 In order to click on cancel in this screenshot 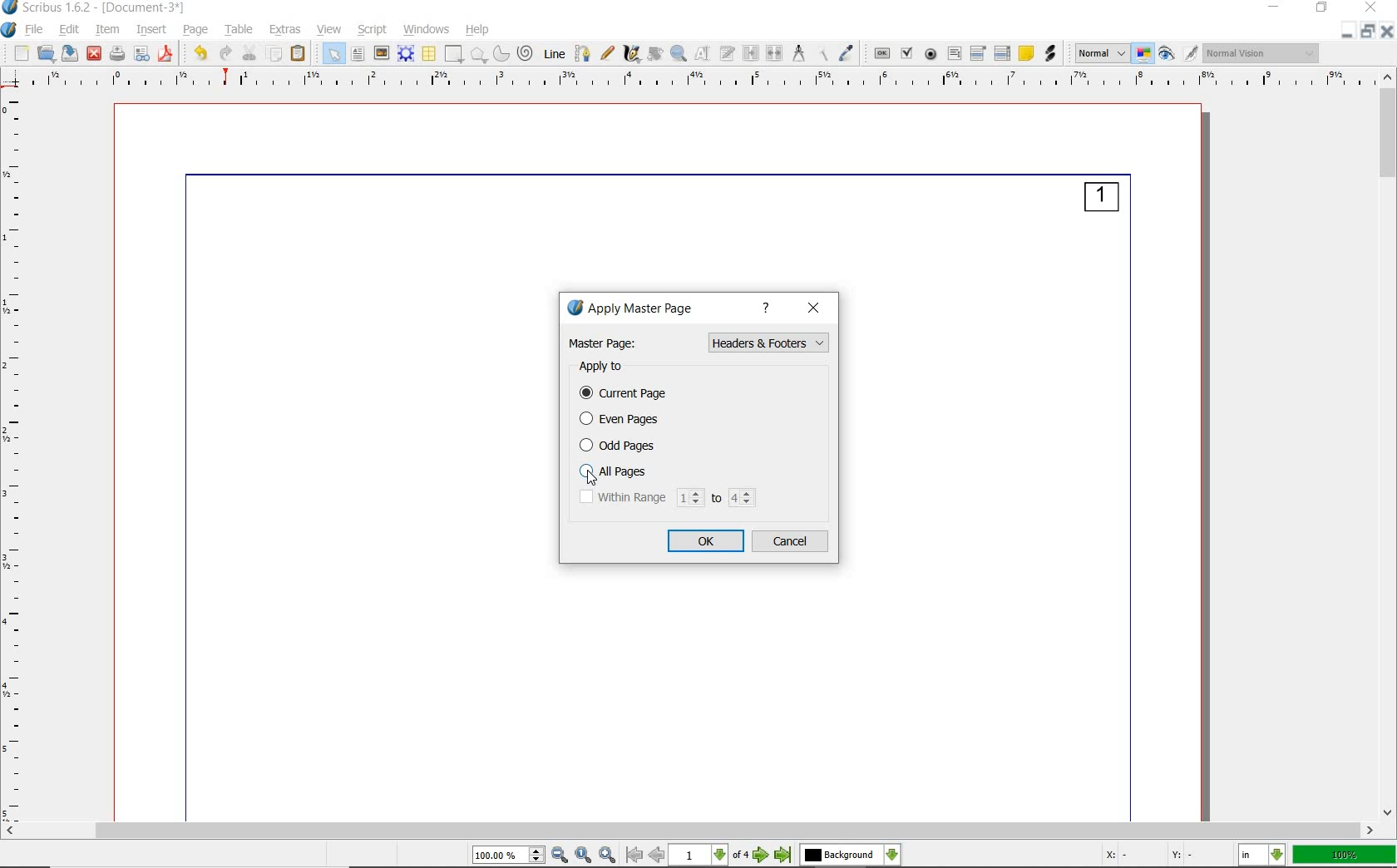, I will do `click(792, 542)`.